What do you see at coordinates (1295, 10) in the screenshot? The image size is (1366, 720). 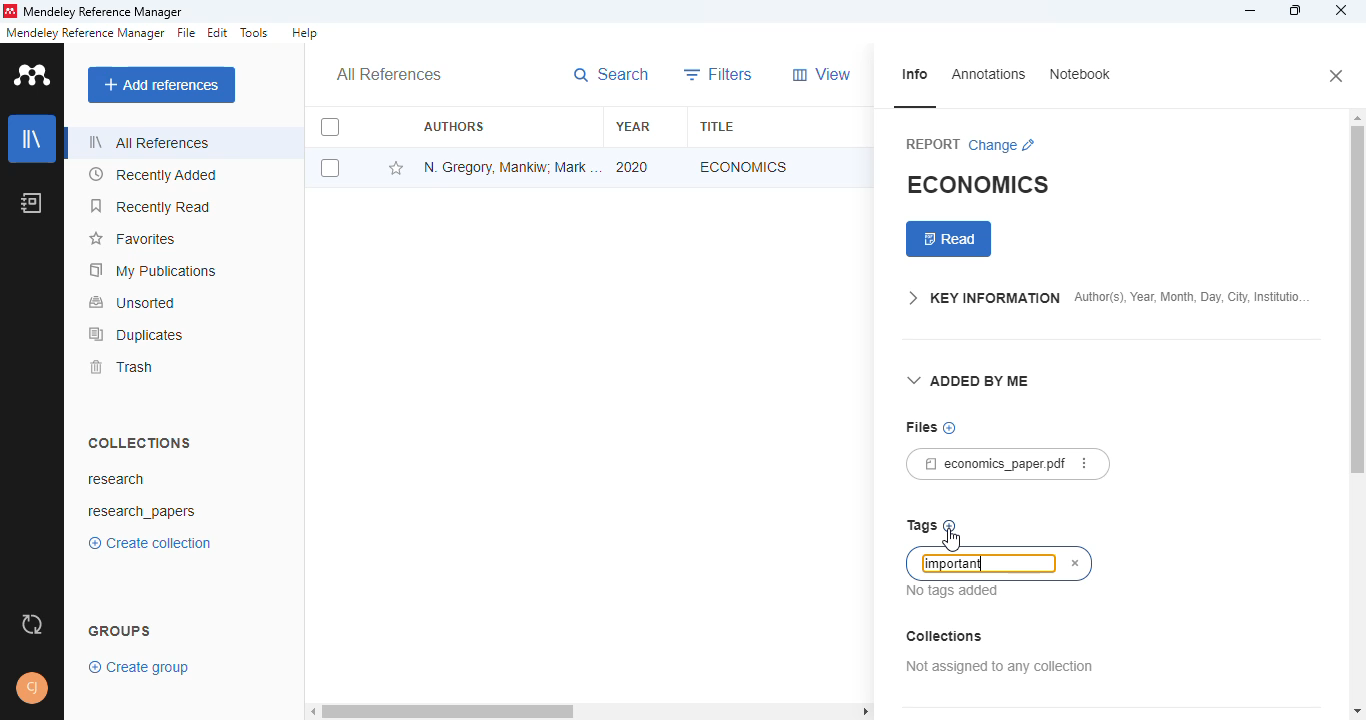 I see `maximize` at bounding box center [1295, 10].